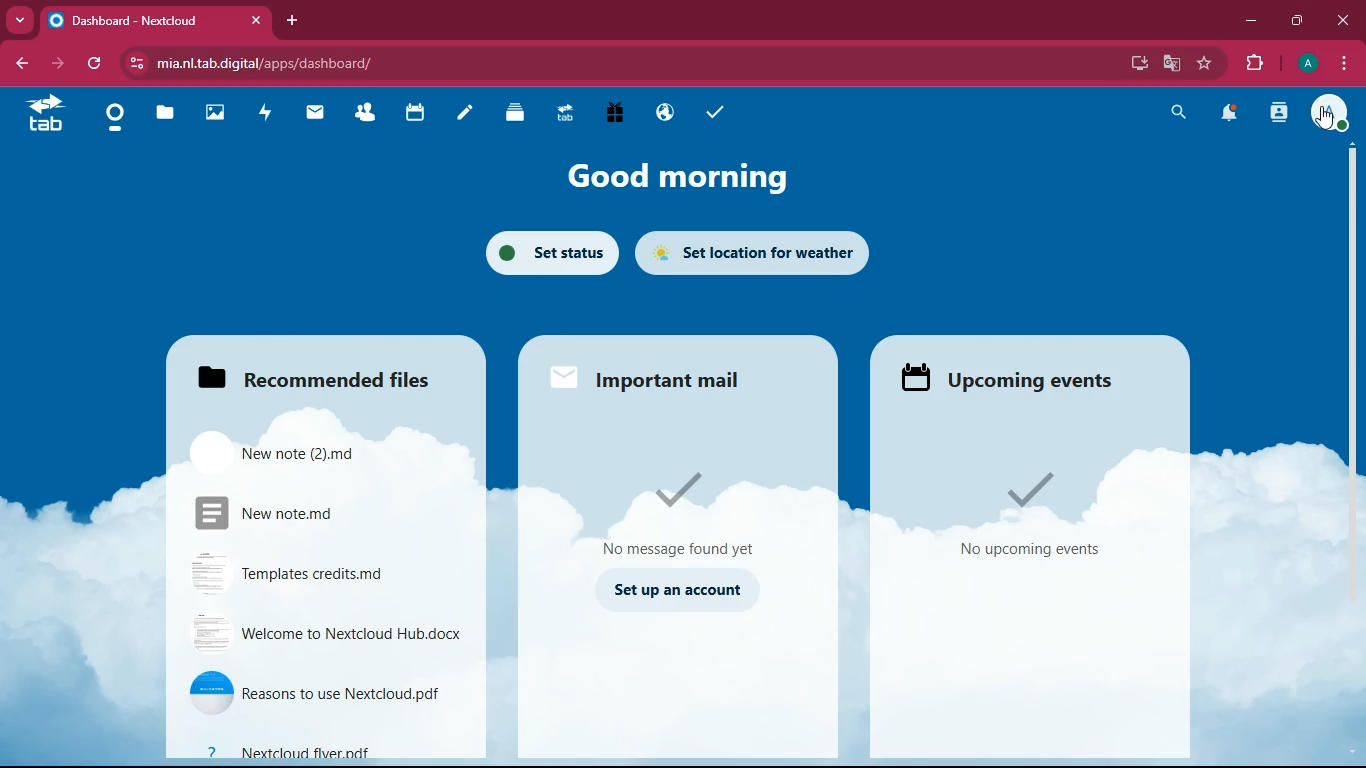 This screenshot has width=1366, height=768. What do you see at coordinates (1257, 64) in the screenshot?
I see `extension` at bounding box center [1257, 64].